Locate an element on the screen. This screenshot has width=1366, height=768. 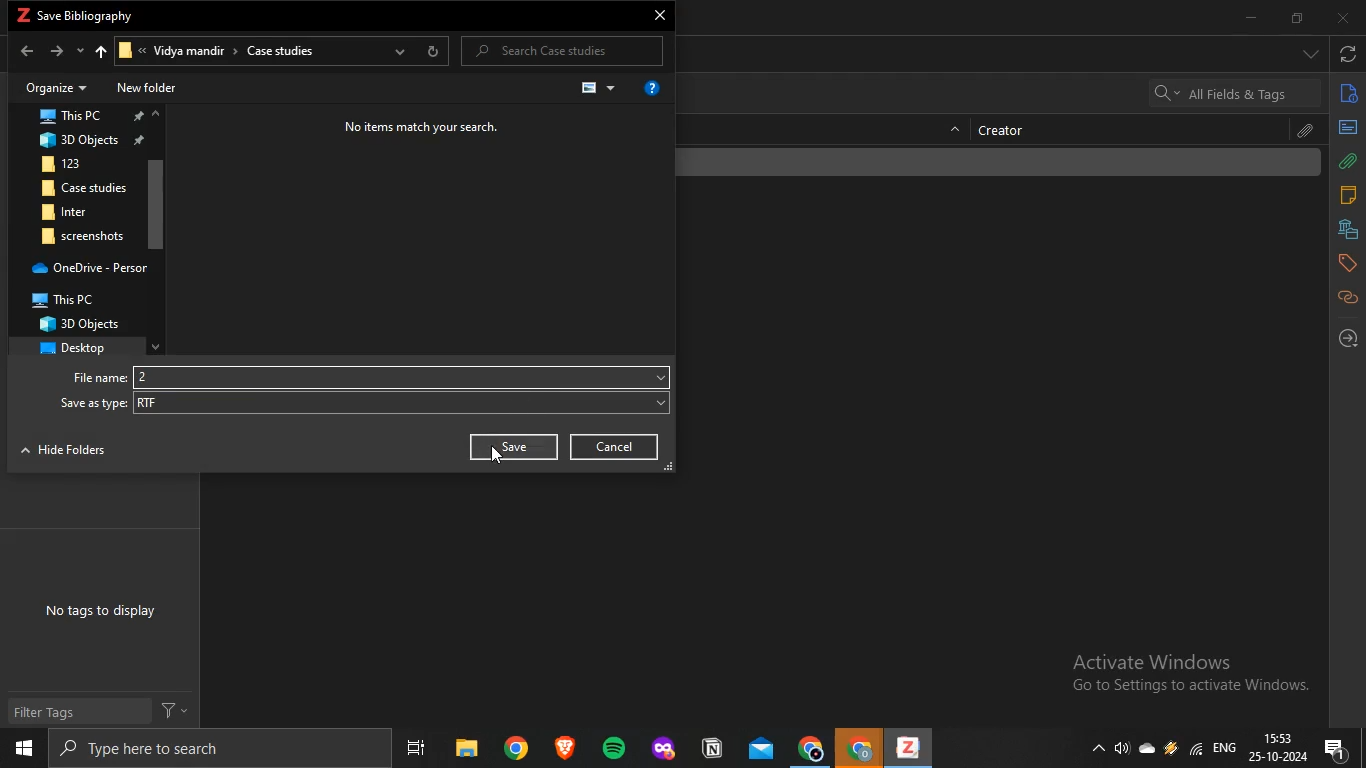
save bibliography is located at coordinates (100, 17).